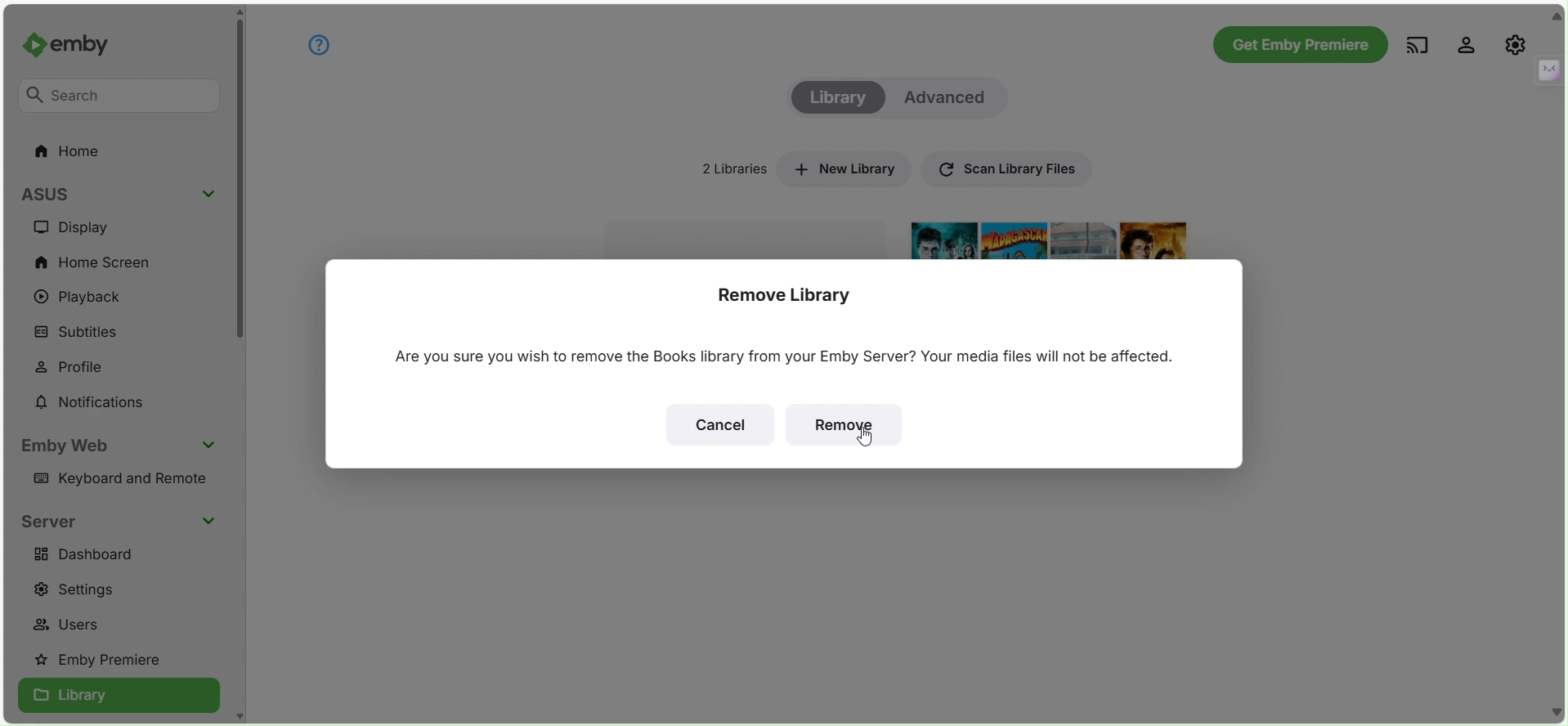  I want to click on Vertical Scroll Bar, so click(240, 184).